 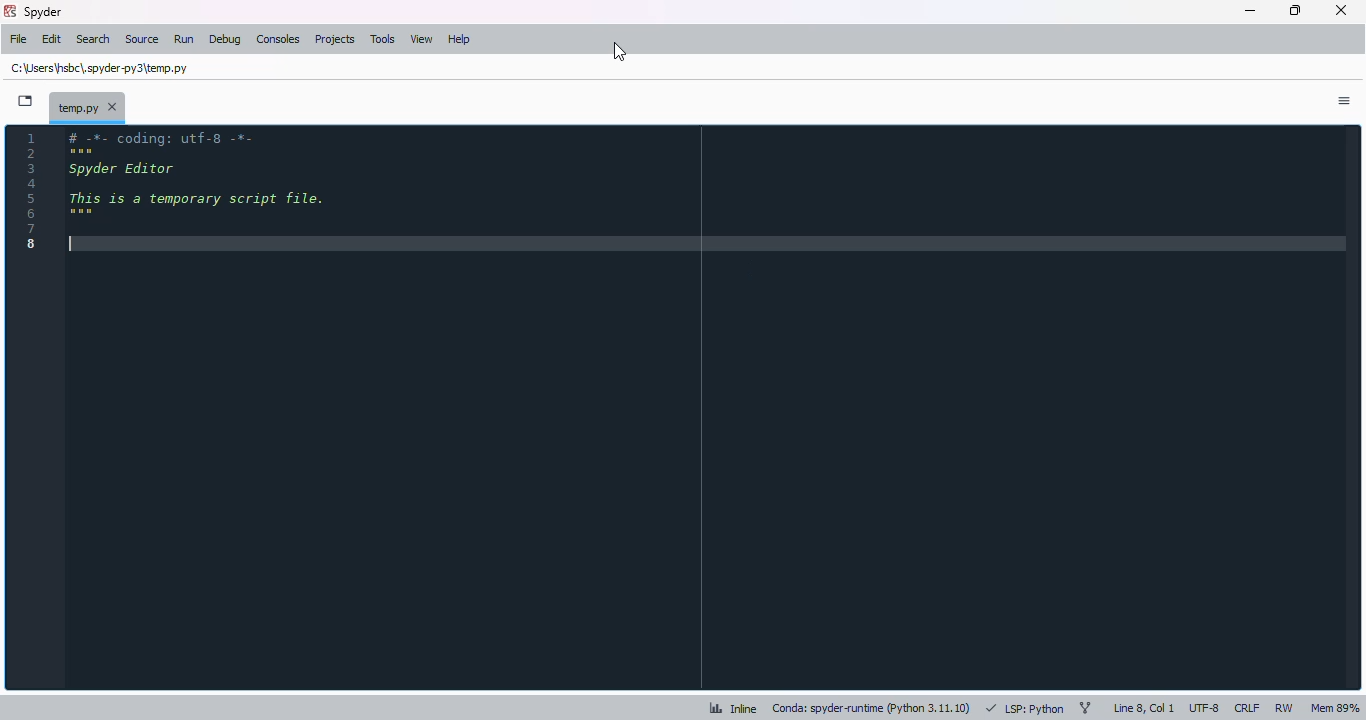 What do you see at coordinates (11, 11) in the screenshot?
I see `logo` at bounding box center [11, 11].